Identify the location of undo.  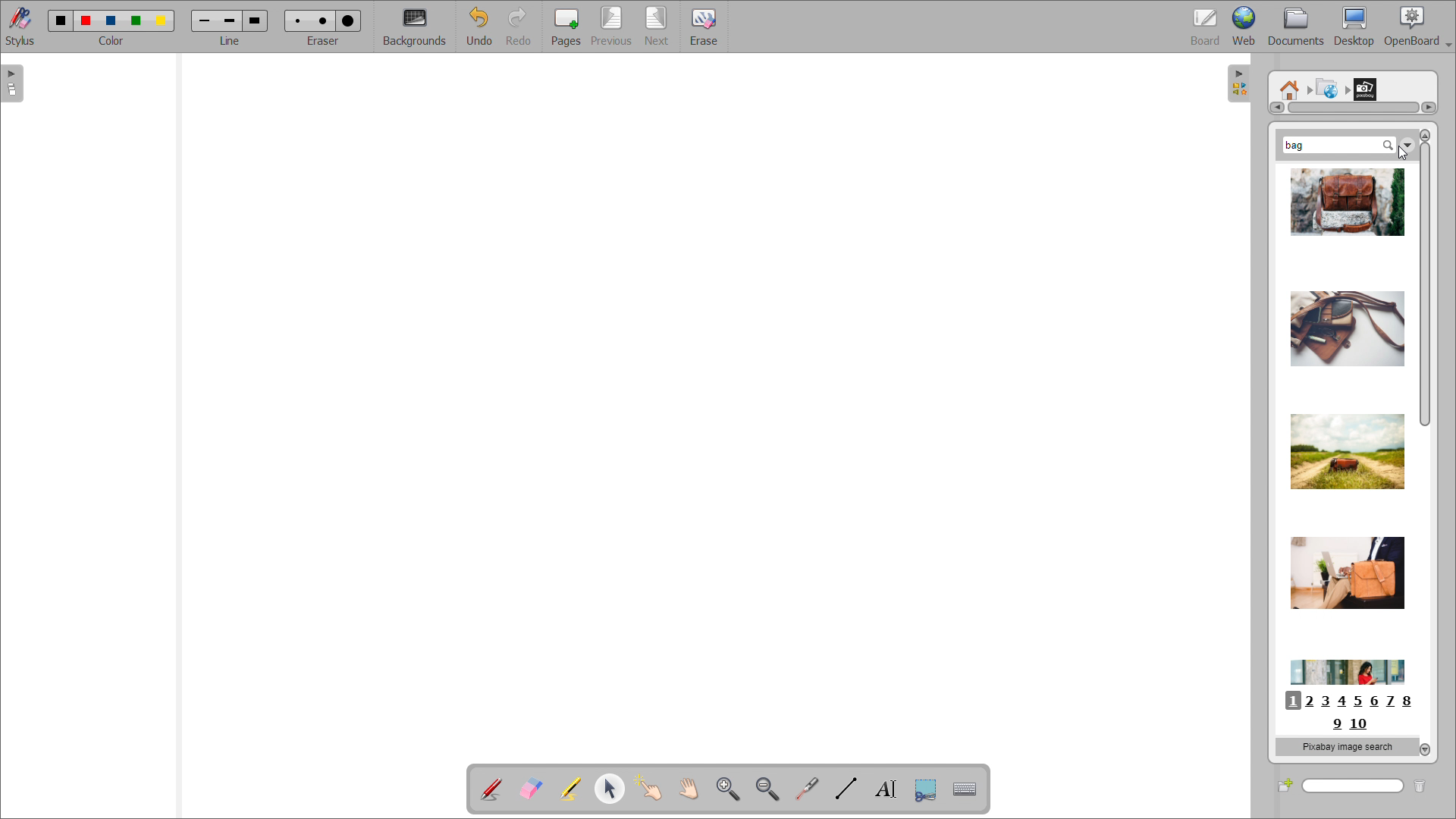
(479, 27).